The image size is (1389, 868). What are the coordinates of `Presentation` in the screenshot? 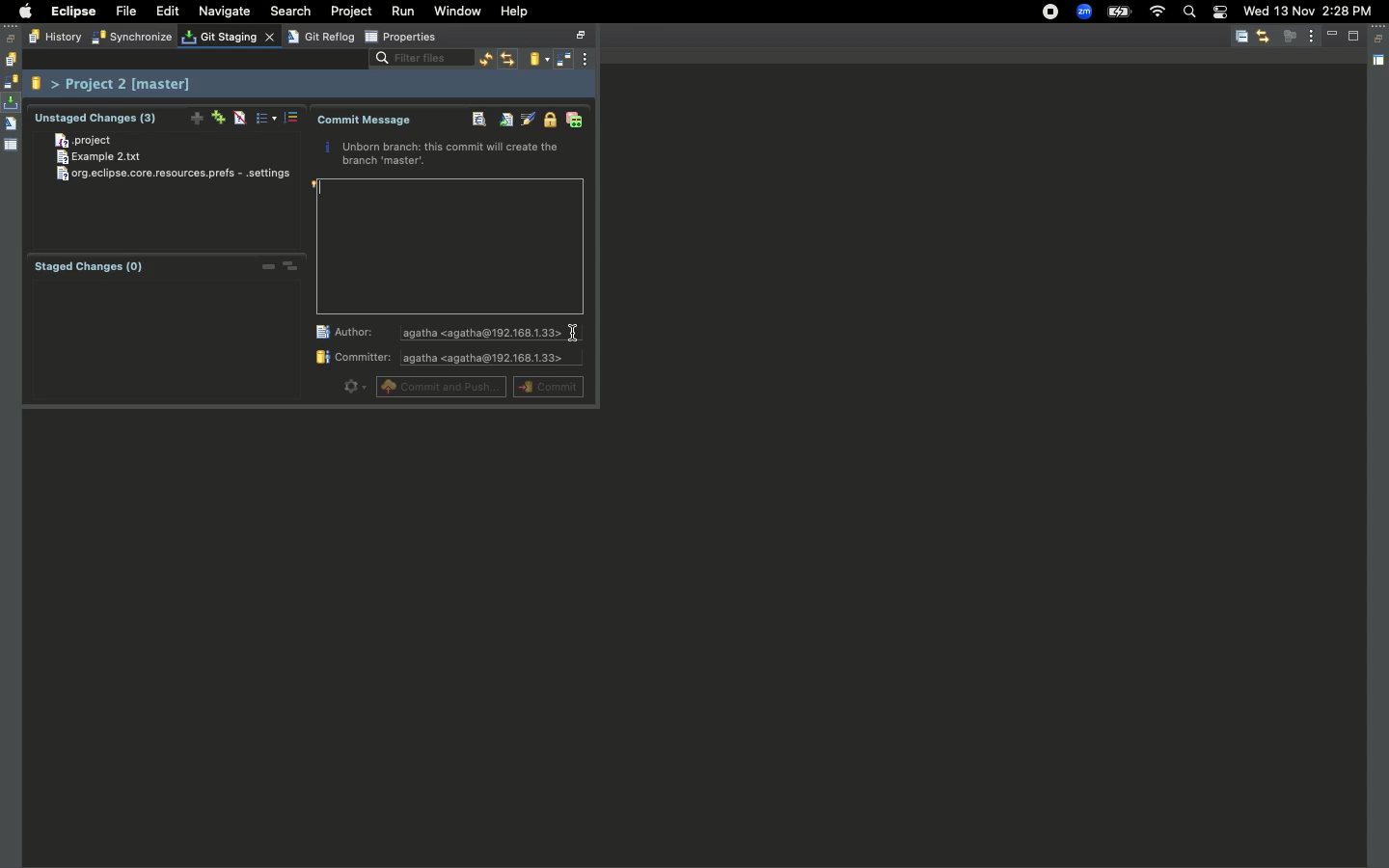 It's located at (267, 118).